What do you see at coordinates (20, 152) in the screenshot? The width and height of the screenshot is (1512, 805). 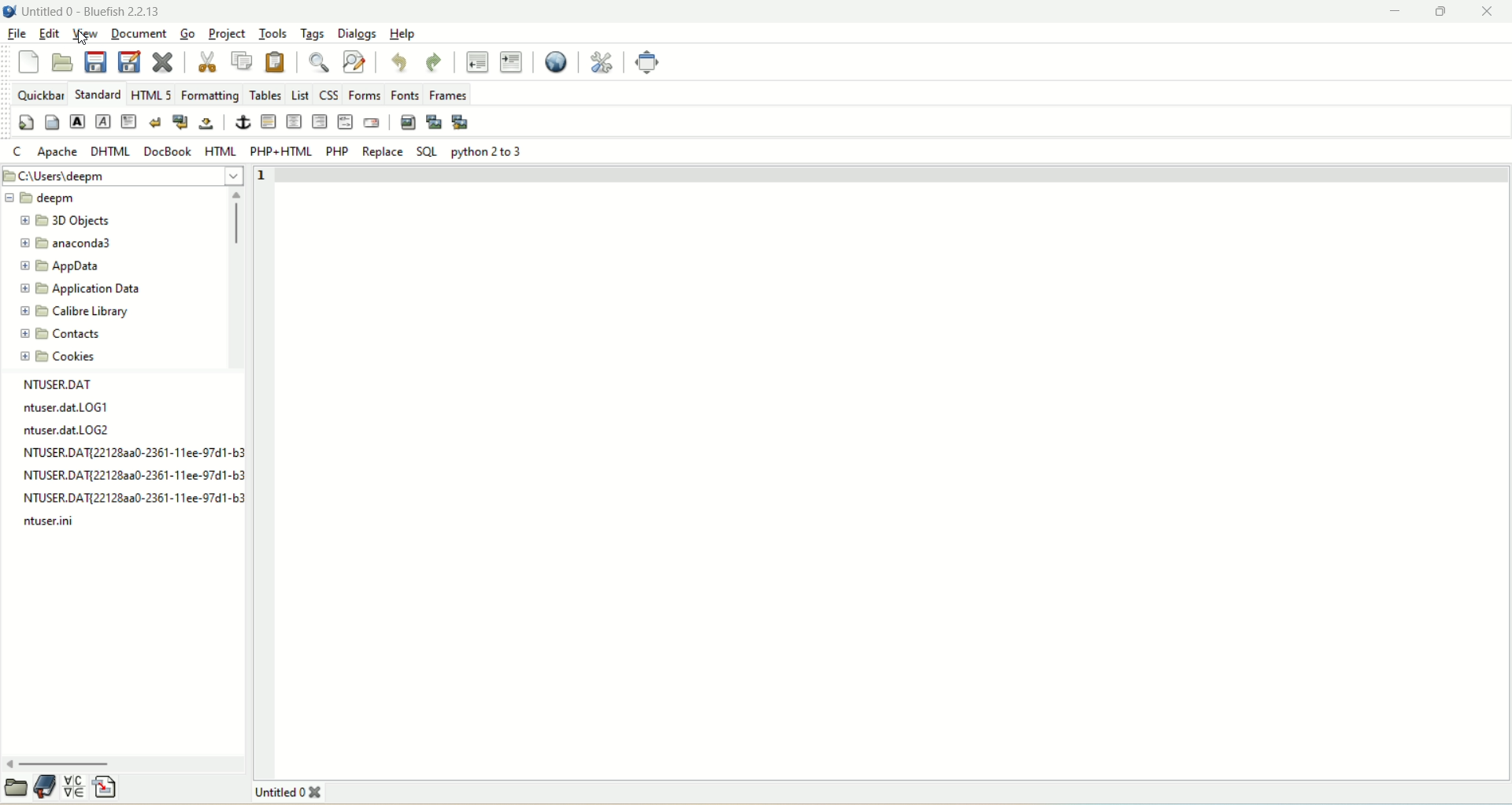 I see `C` at bounding box center [20, 152].